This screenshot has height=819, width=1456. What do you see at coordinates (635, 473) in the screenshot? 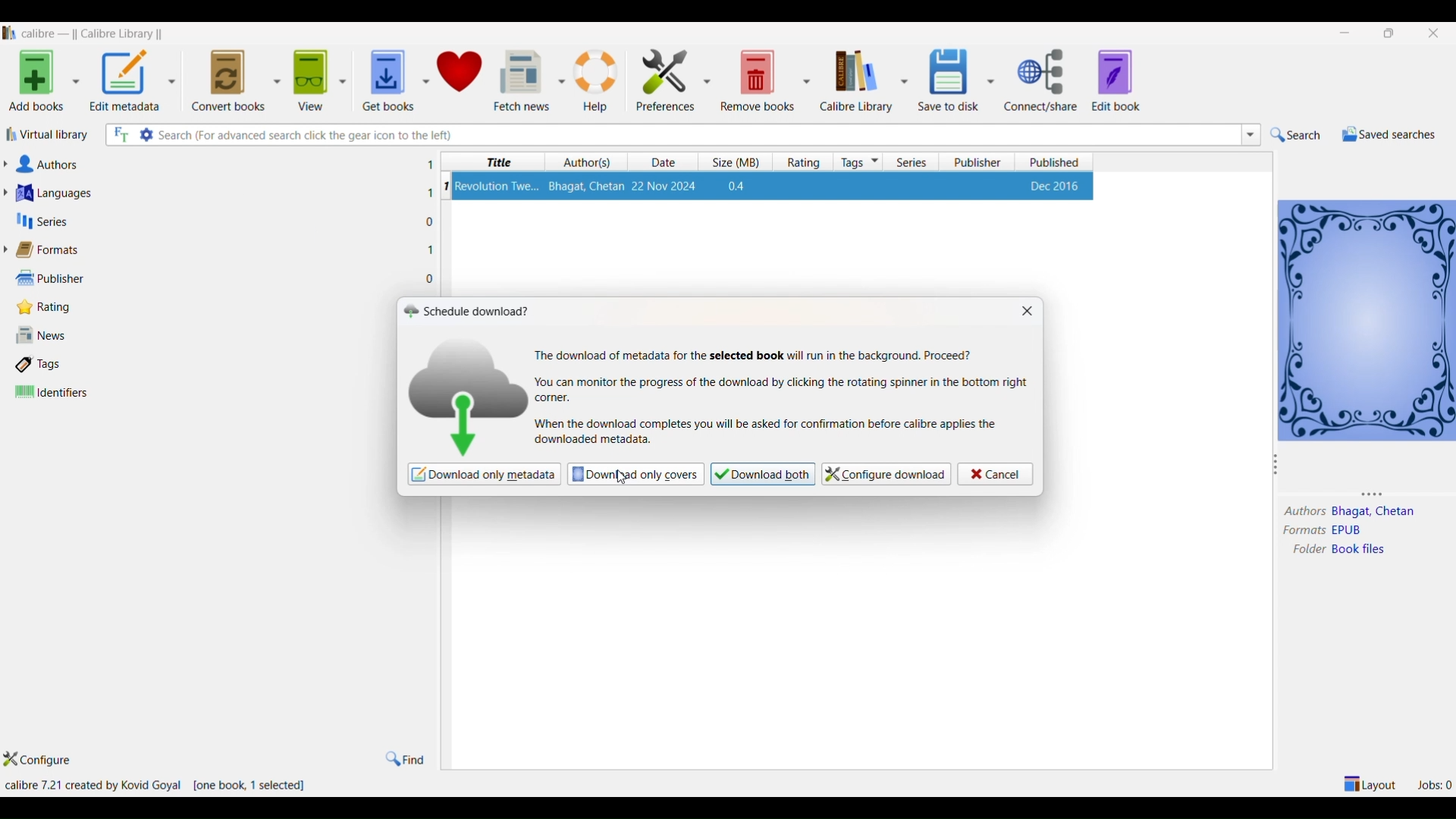
I see `download only covers` at bounding box center [635, 473].